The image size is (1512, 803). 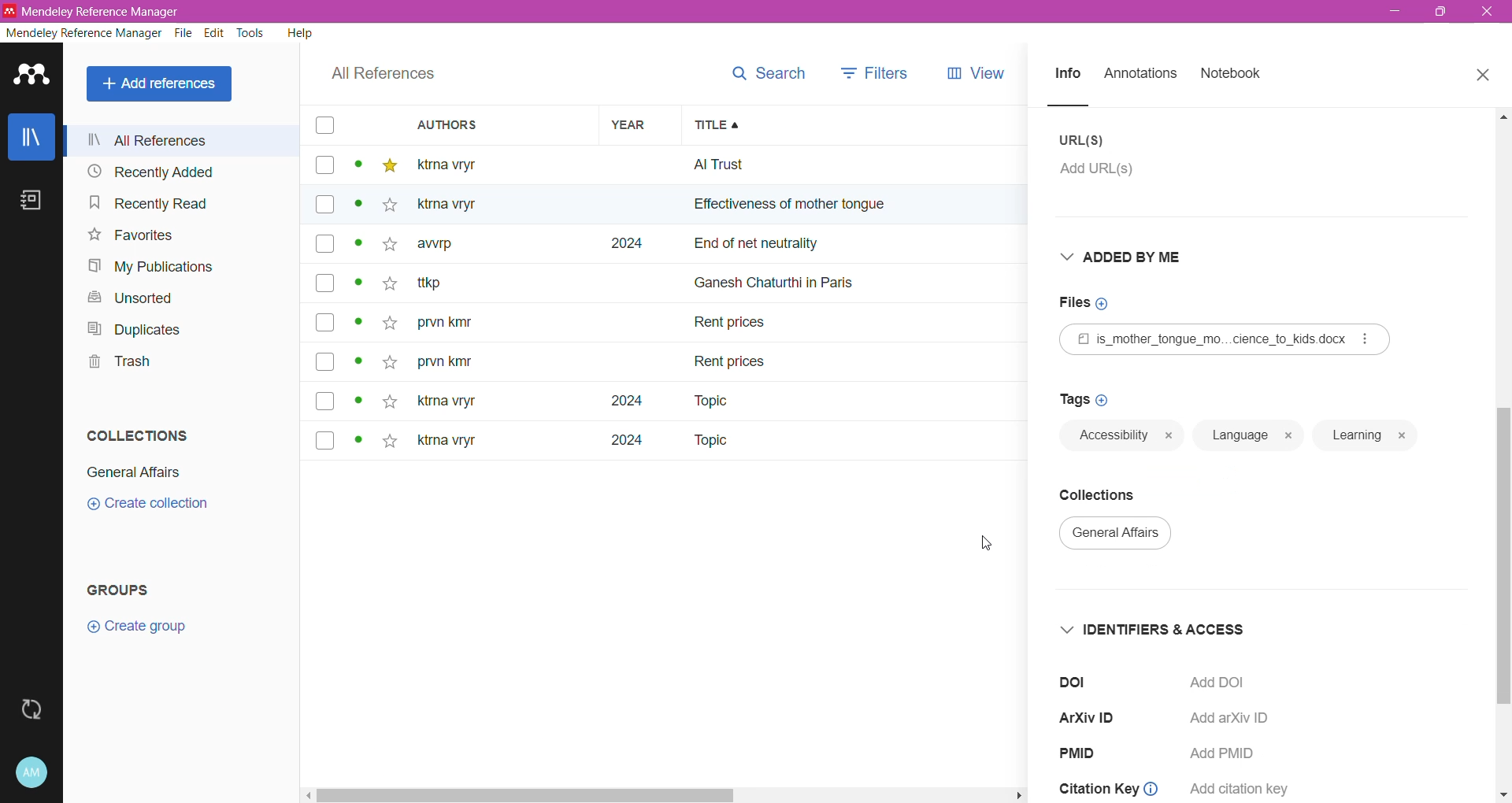 What do you see at coordinates (1107, 173) in the screenshot?
I see `Click to add URL(s)` at bounding box center [1107, 173].